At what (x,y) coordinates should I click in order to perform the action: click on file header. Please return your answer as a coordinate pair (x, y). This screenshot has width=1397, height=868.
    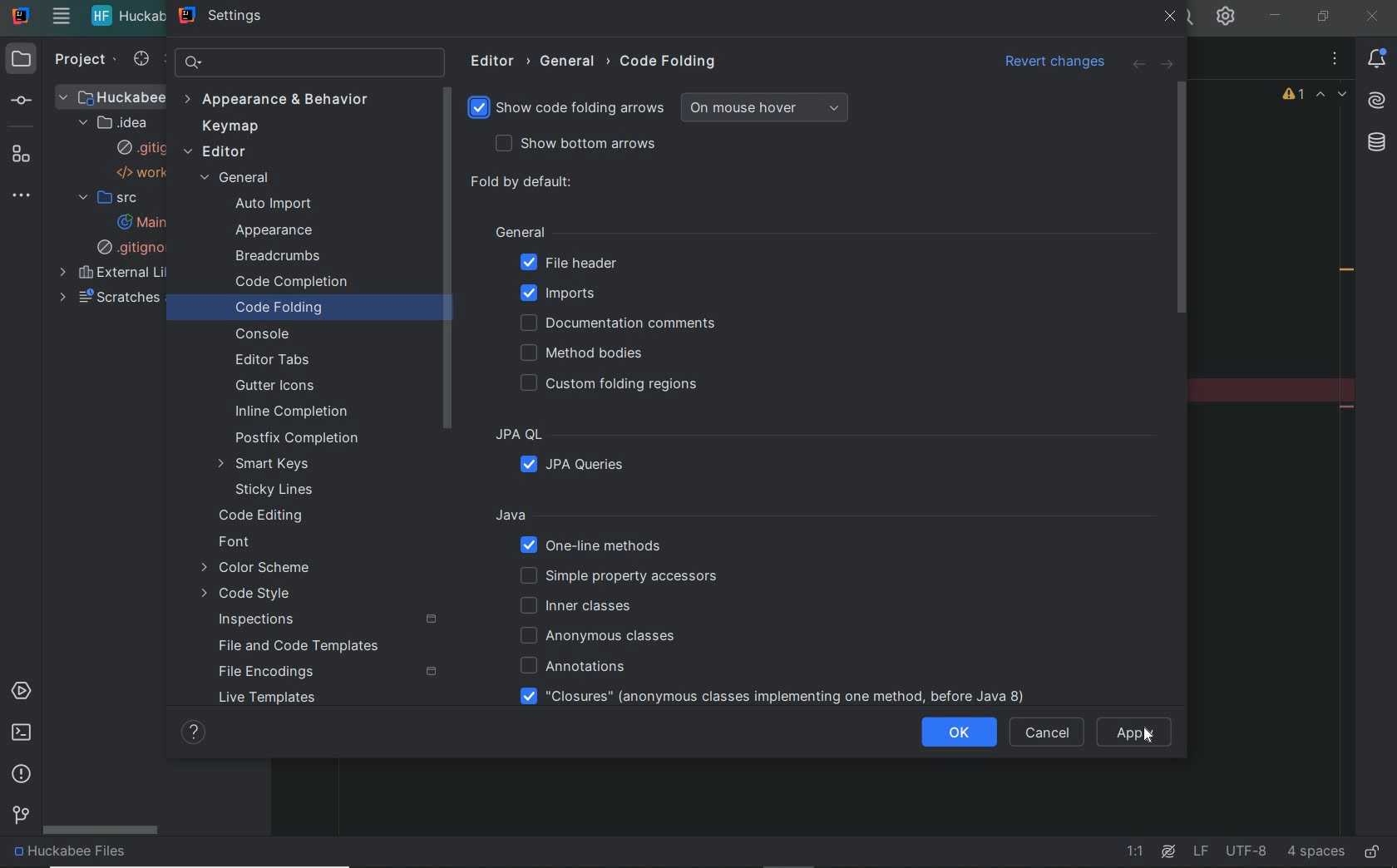
    Looking at the image, I should click on (566, 263).